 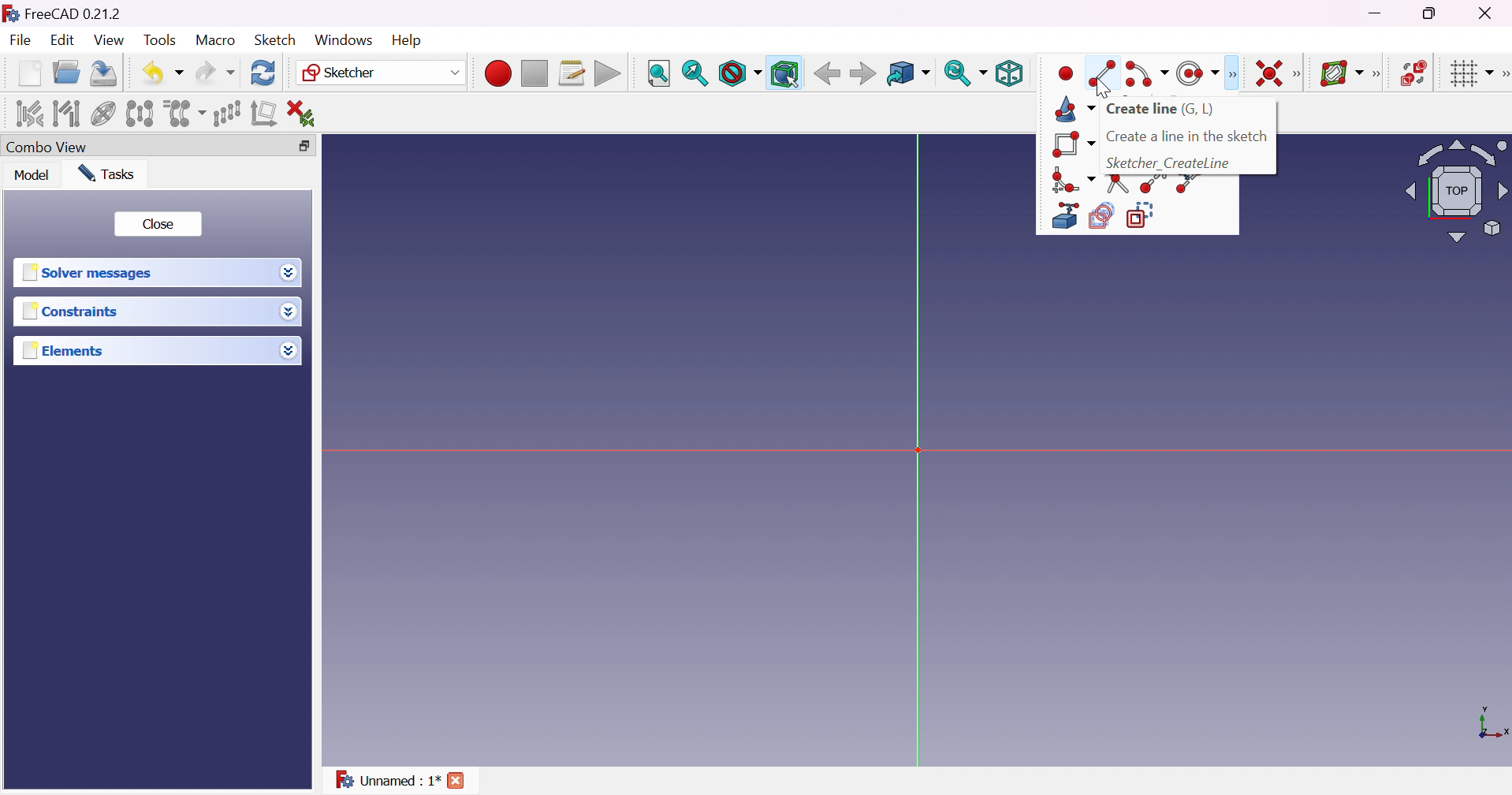 I want to click on Sketcher, so click(x=382, y=74).